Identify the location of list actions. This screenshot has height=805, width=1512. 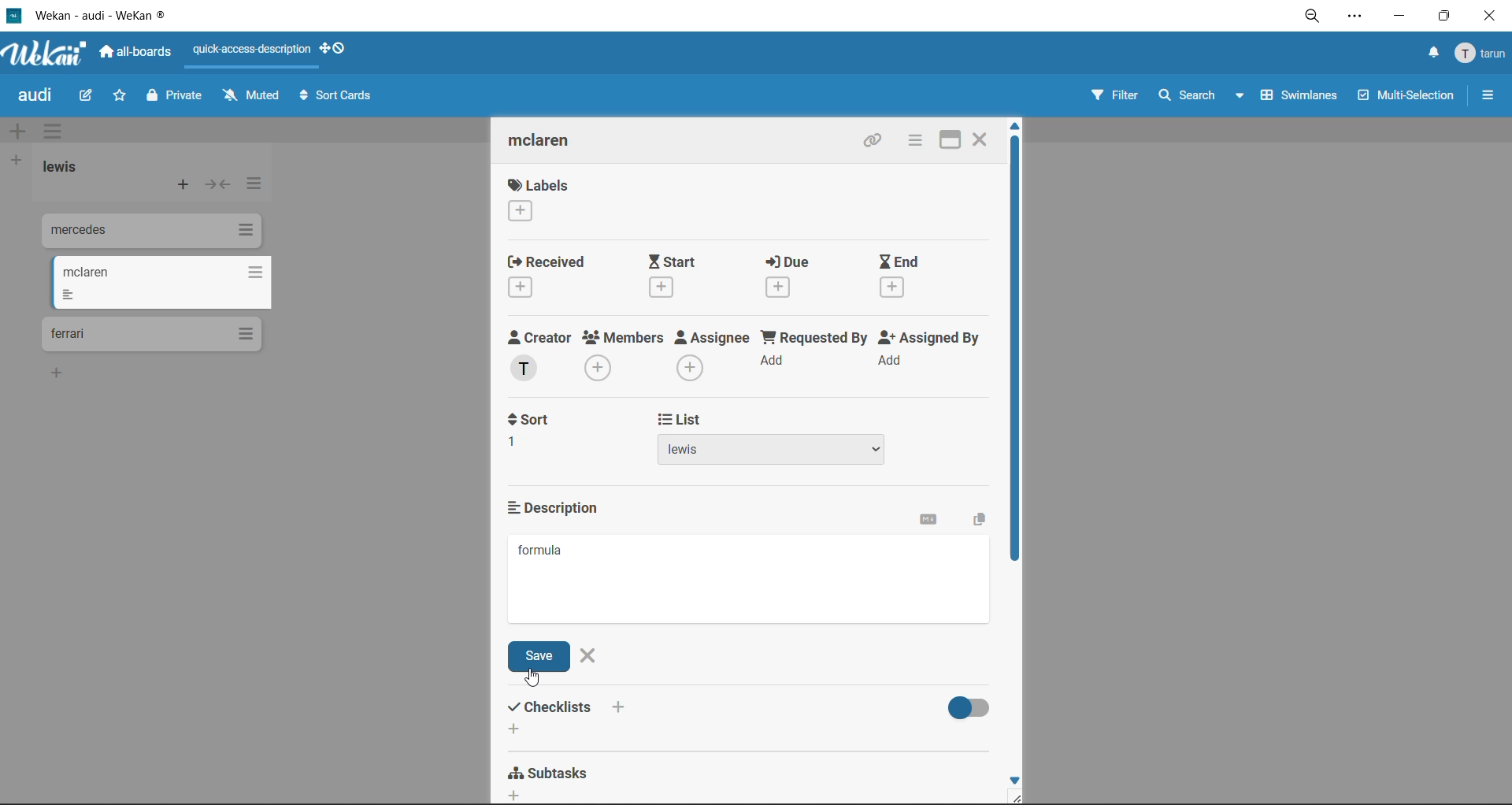
(251, 187).